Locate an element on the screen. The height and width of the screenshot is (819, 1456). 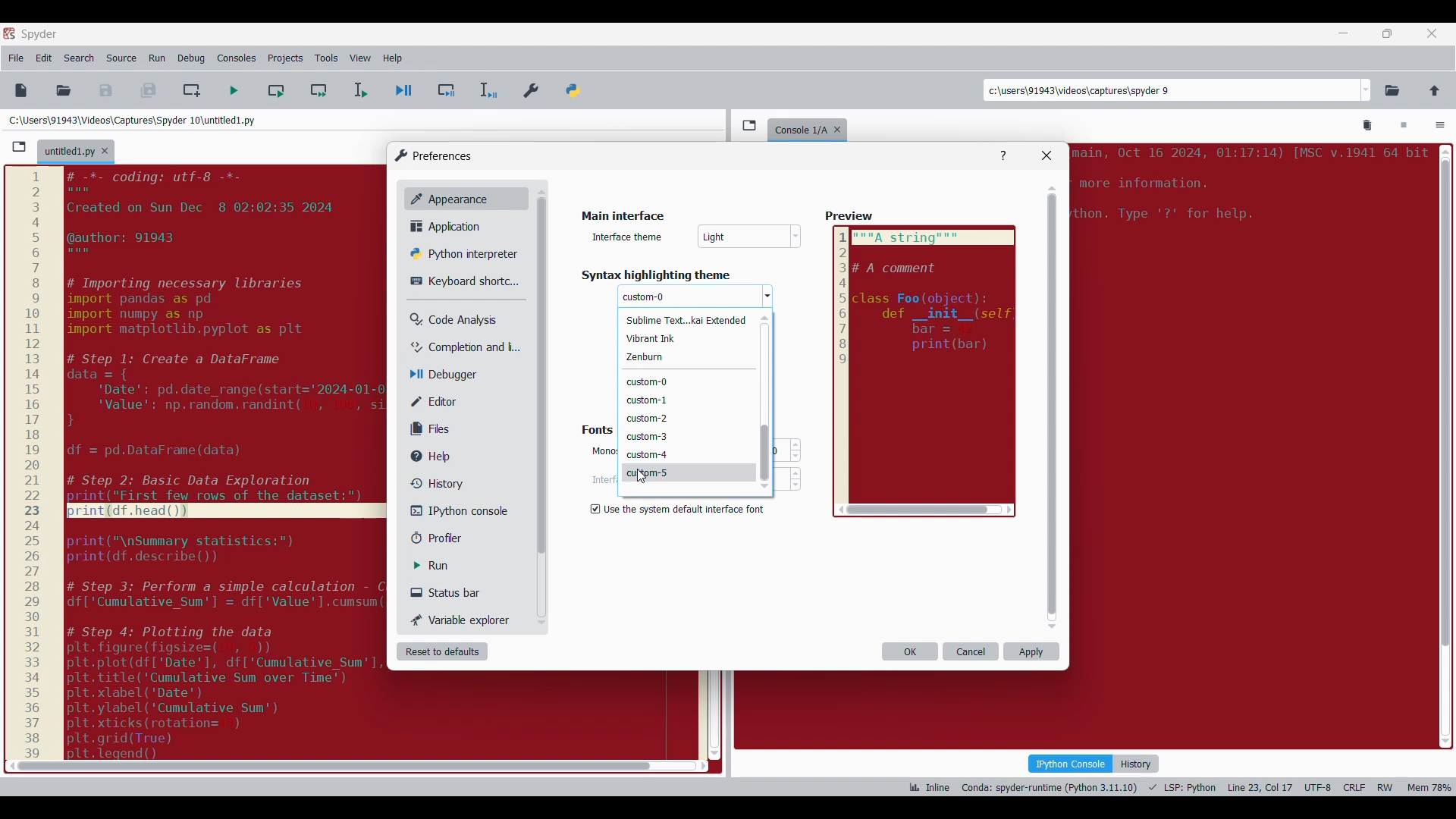
 is located at coordinates (641, 475).